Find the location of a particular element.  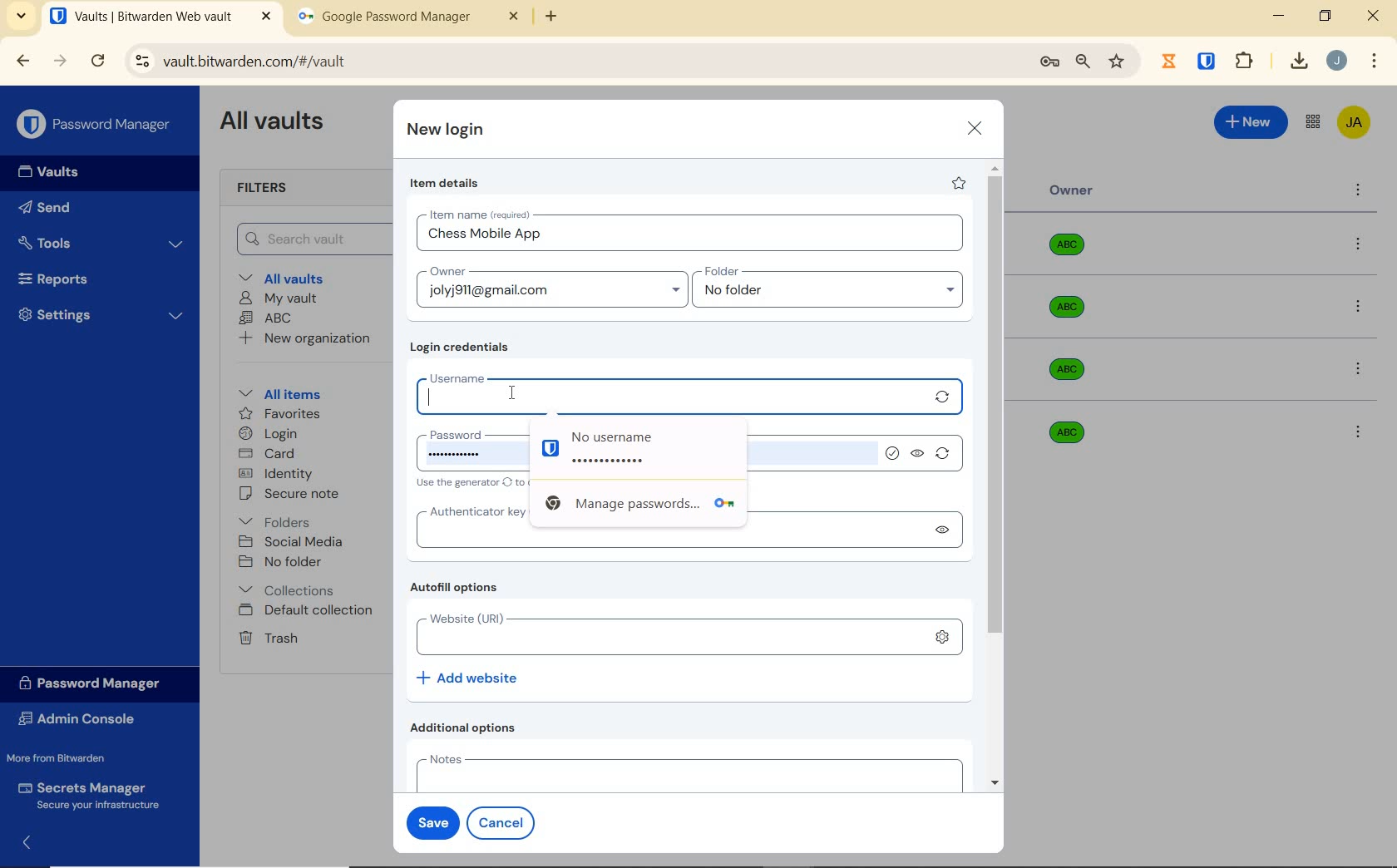

unhide is located at coordinates (946, 532).